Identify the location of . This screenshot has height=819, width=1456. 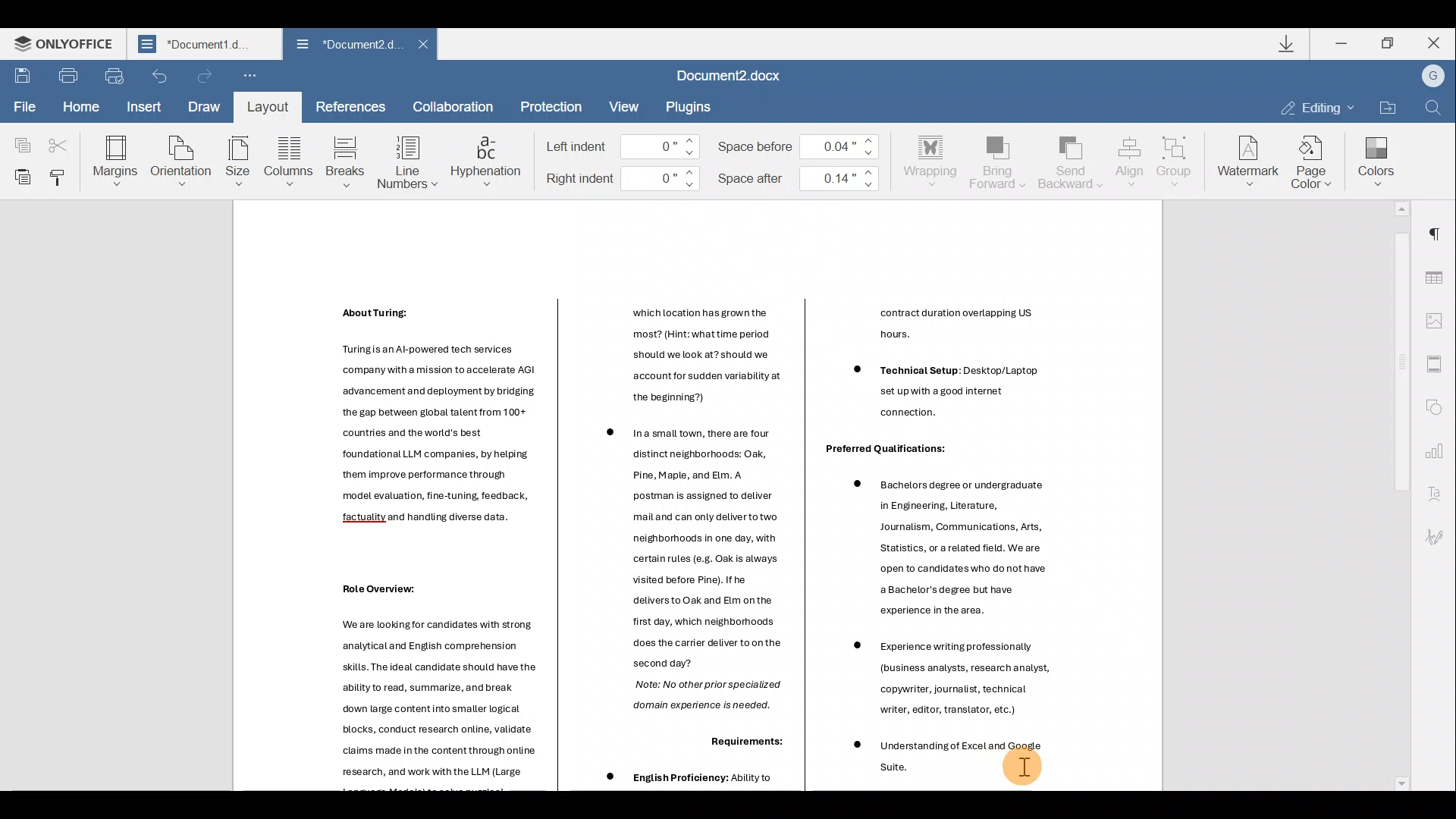
(425, 702).